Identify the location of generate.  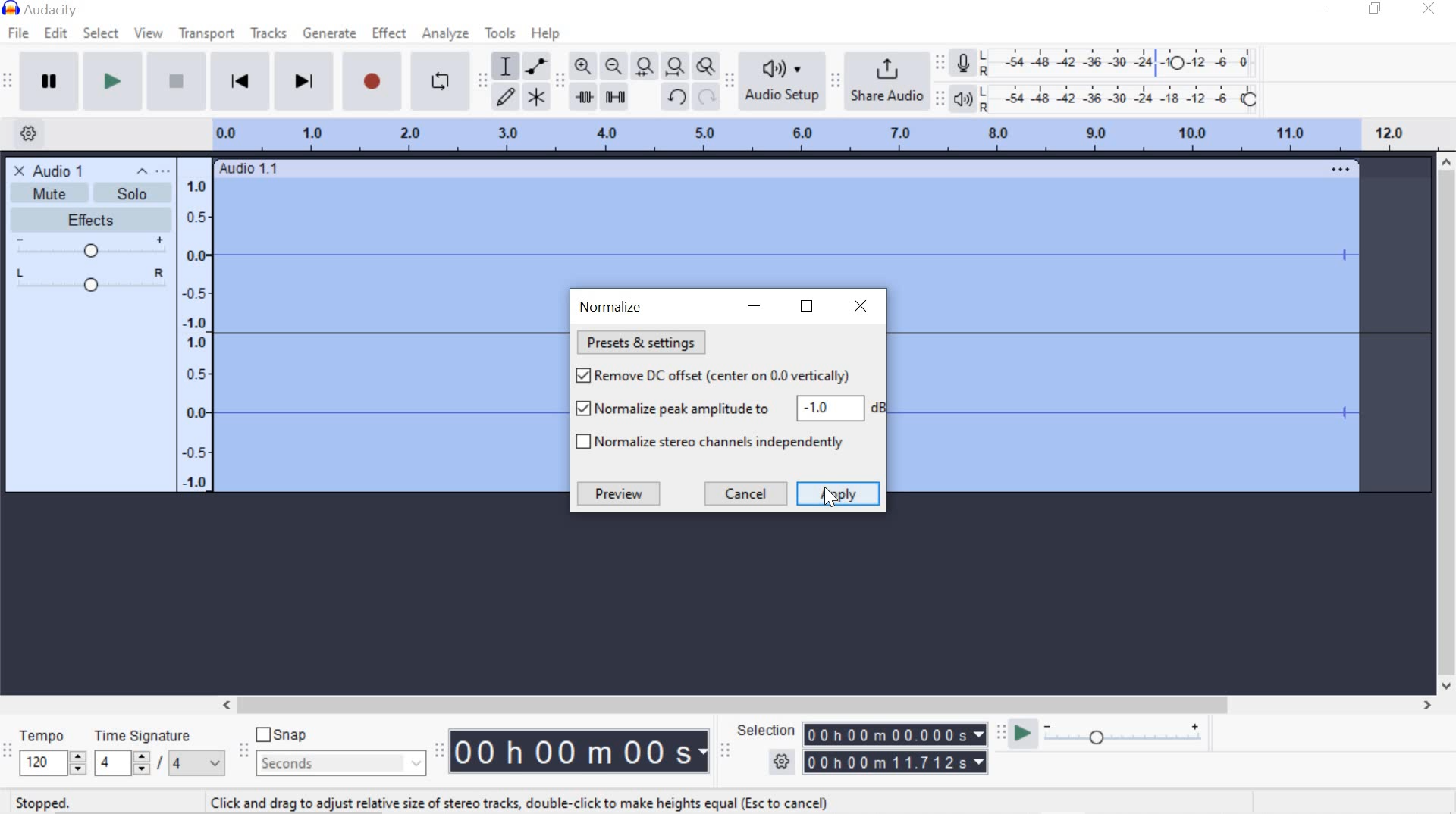
(328, 34).